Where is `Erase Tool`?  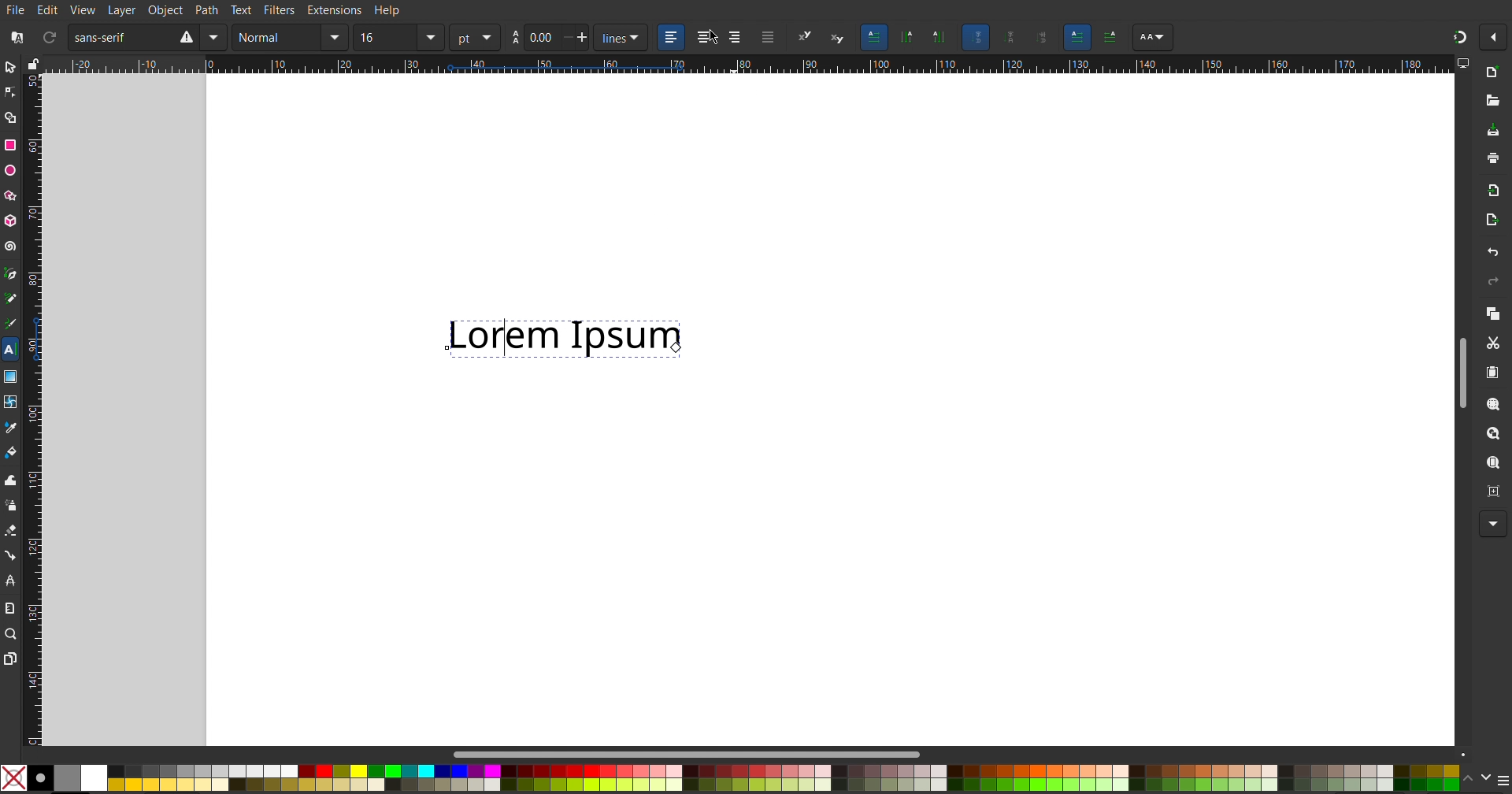
Erase Tool is located at coordinates (14, 531).